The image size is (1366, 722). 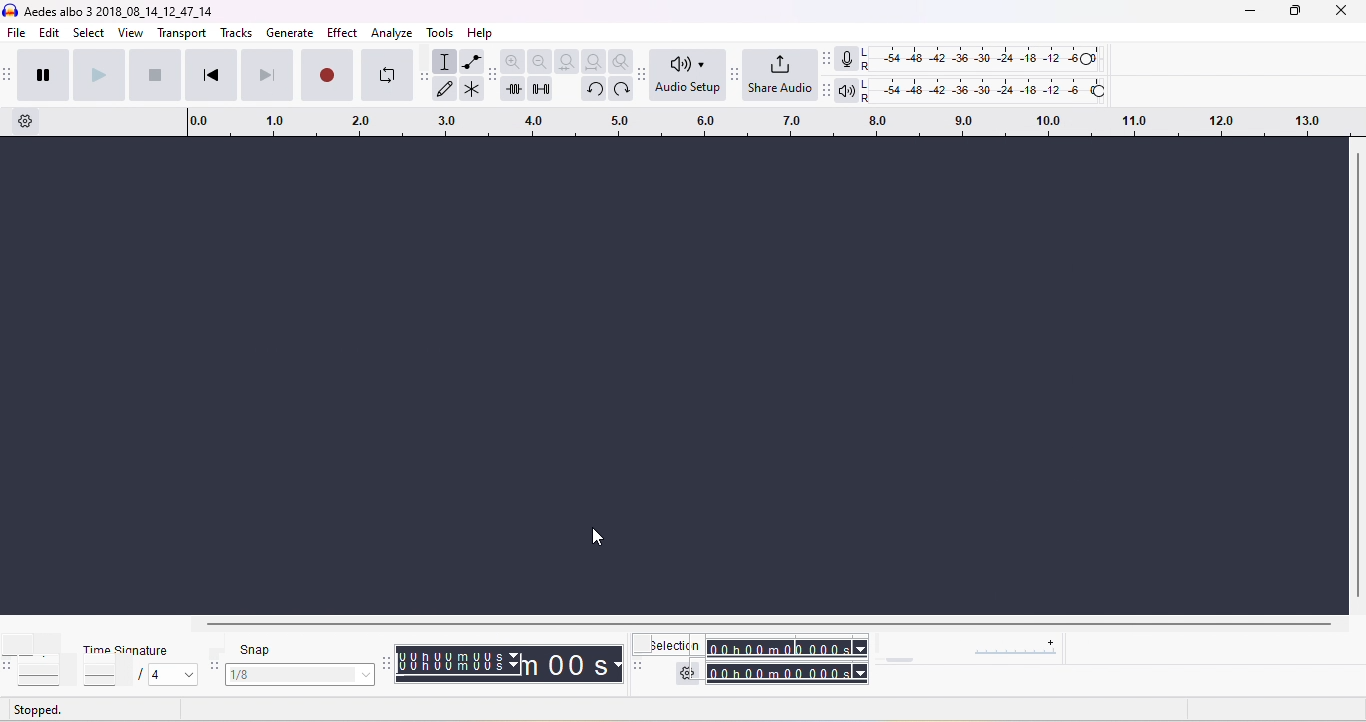 I want to click on select snapping, so click(x=301, y=675).